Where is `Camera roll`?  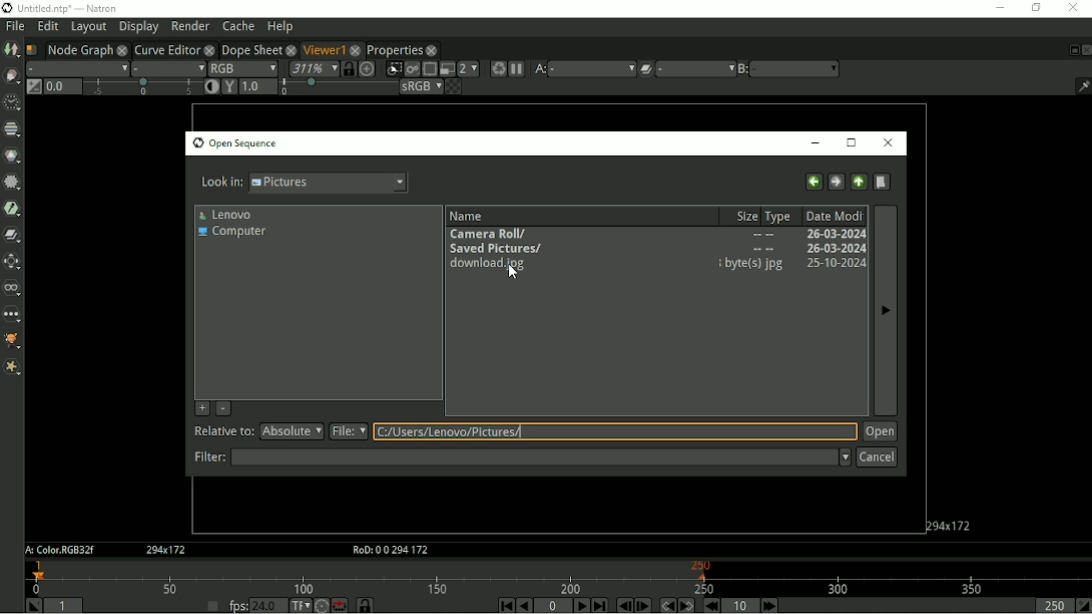
Camera roll is located at coordinates (655, 234).